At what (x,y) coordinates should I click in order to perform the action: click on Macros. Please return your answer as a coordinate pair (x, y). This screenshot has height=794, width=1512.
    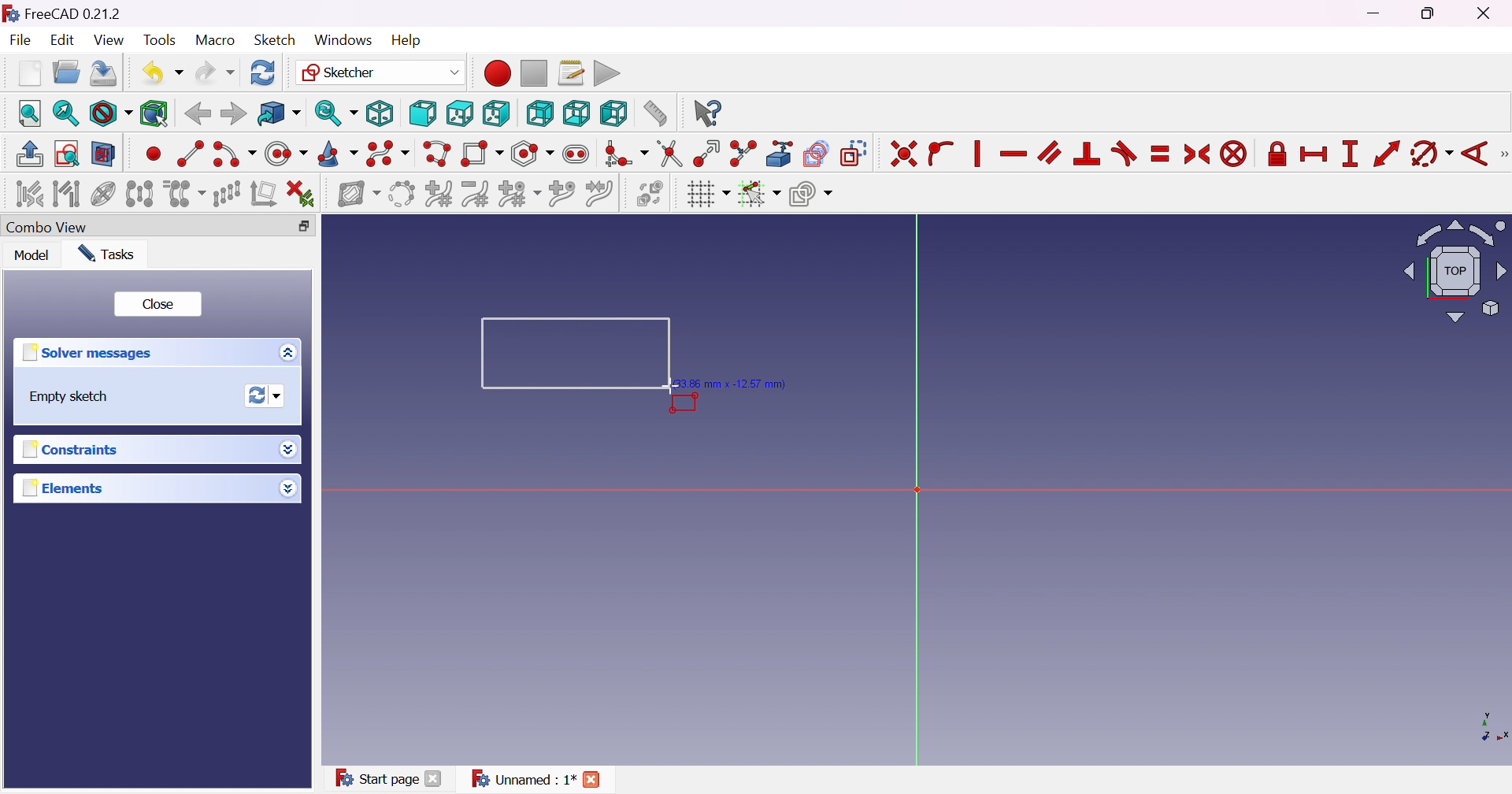
    Looking at the image, I should click on (571, 72).